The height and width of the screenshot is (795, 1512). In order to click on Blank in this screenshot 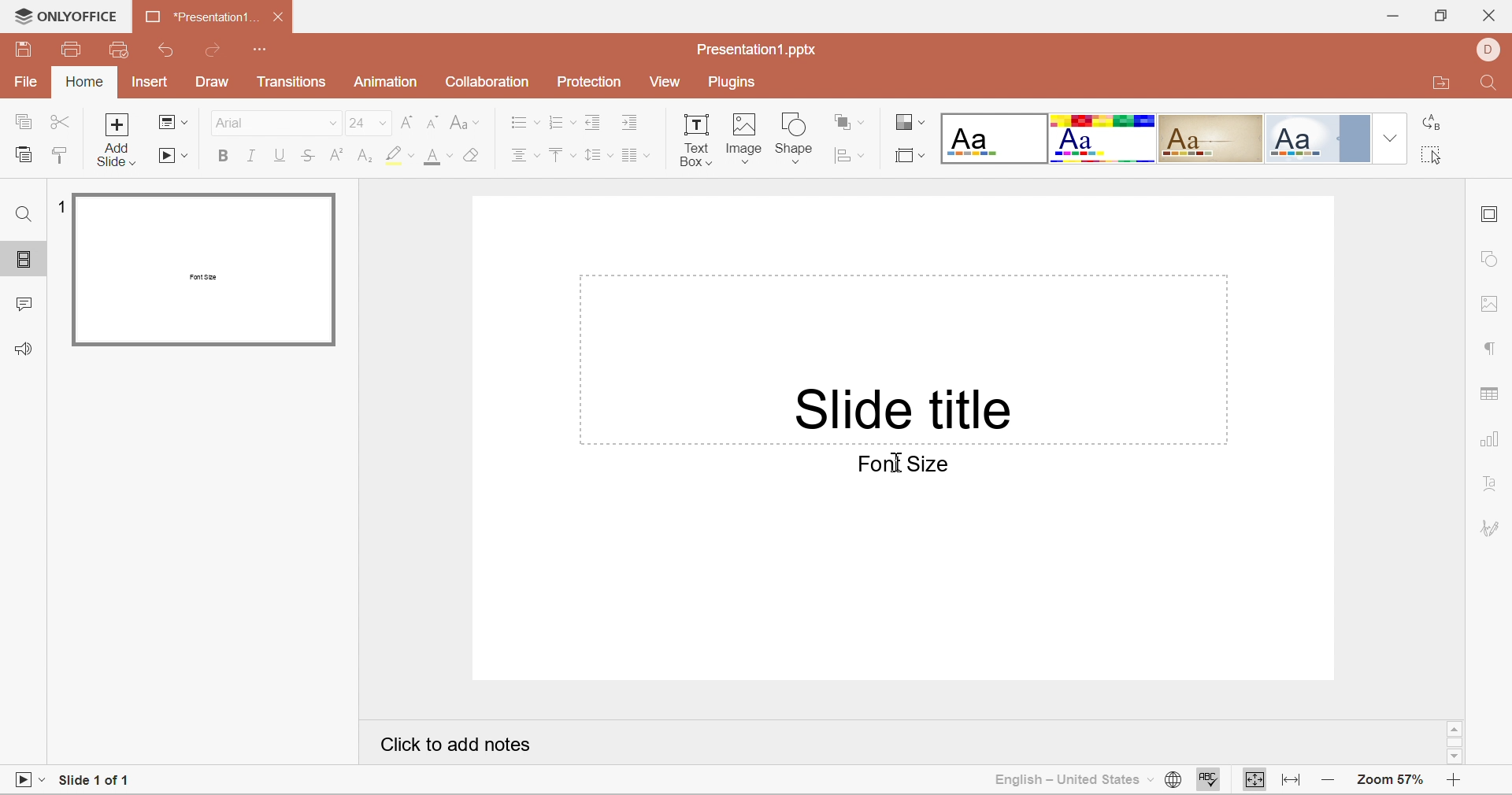, I will do `click(993, 138)`.